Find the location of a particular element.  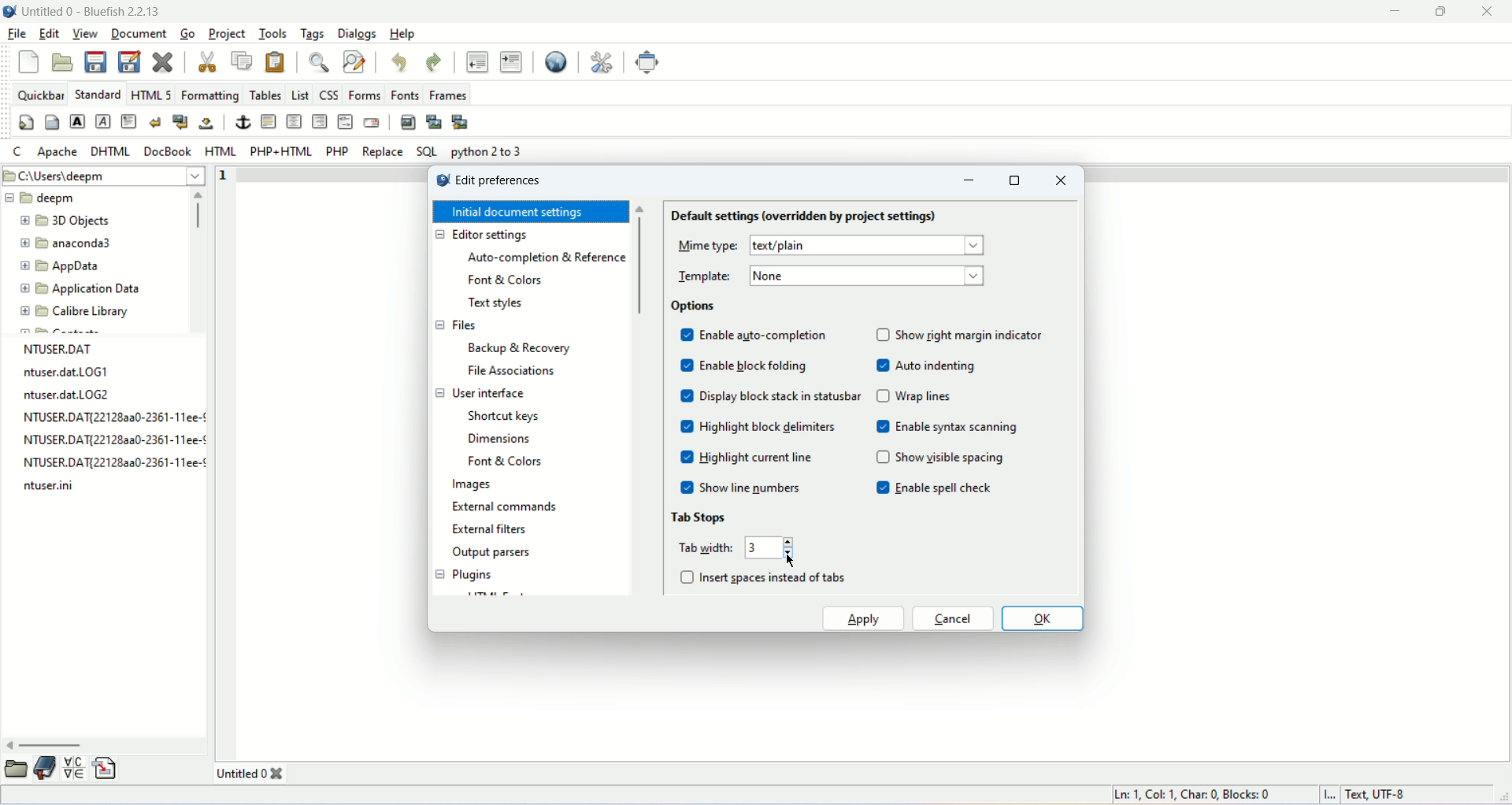

ok is located at coordinates (1043, 618).